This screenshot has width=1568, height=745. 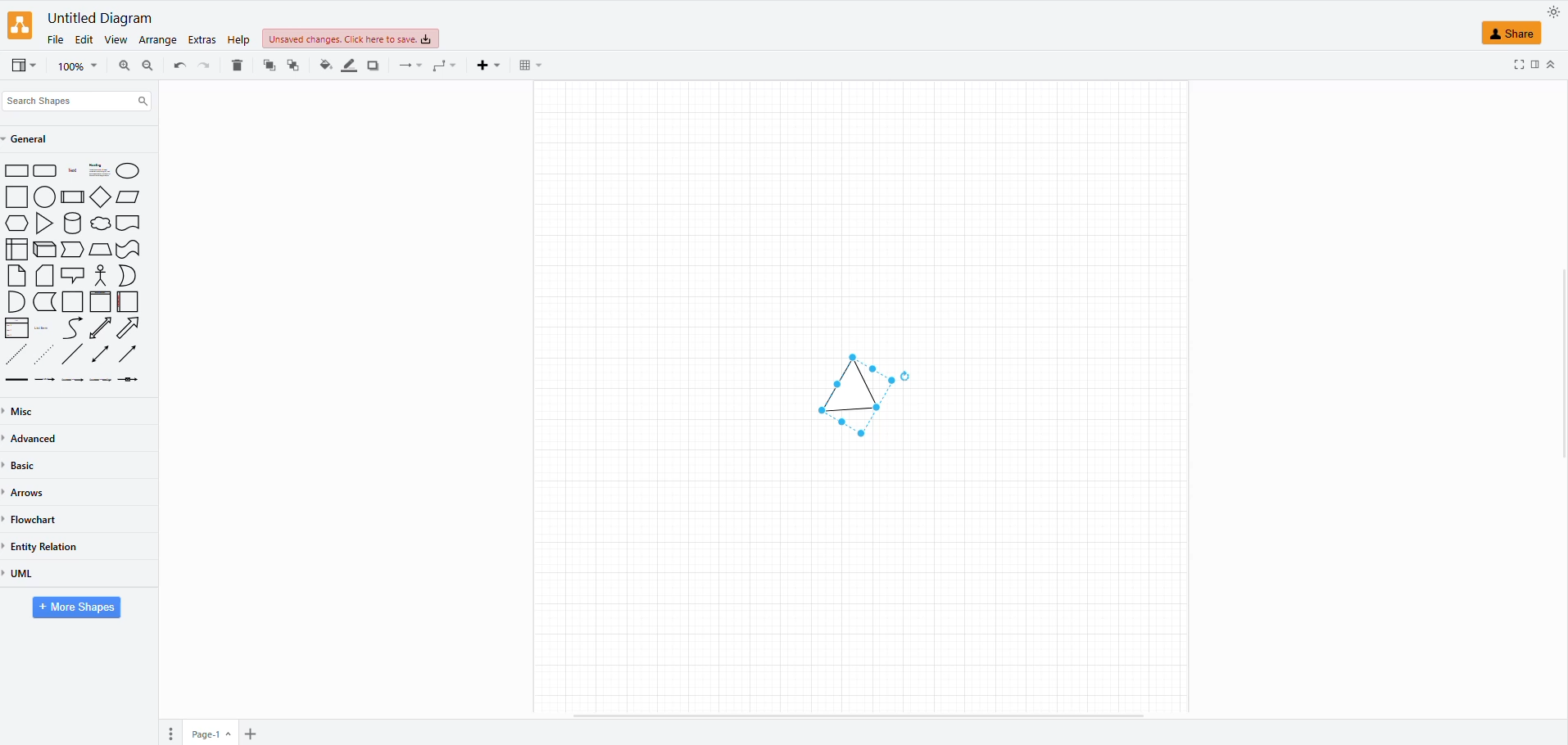 I want to click on search, so click(x=79, y=97).